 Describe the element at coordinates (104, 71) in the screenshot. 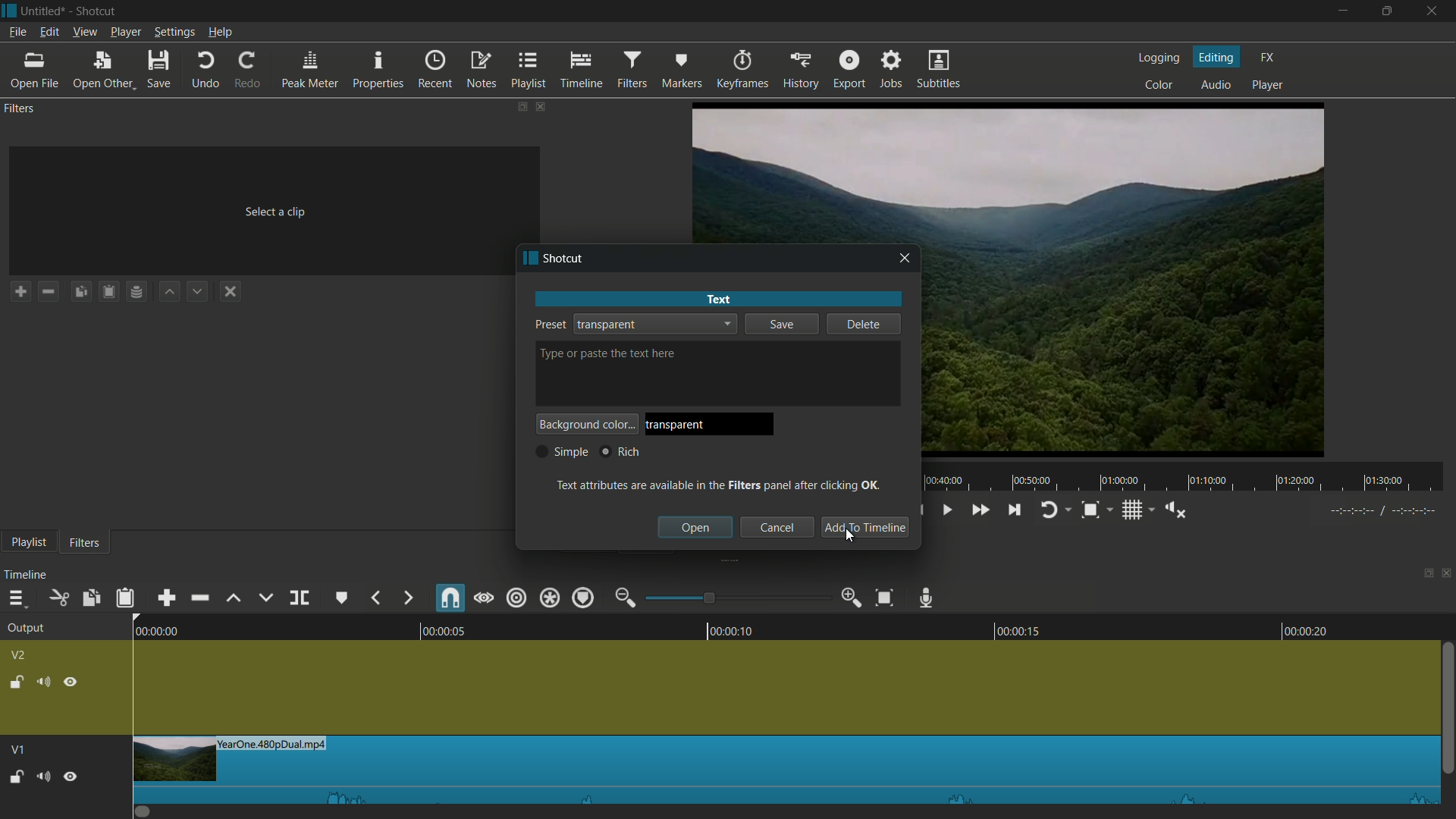

I see `open other` at that location.